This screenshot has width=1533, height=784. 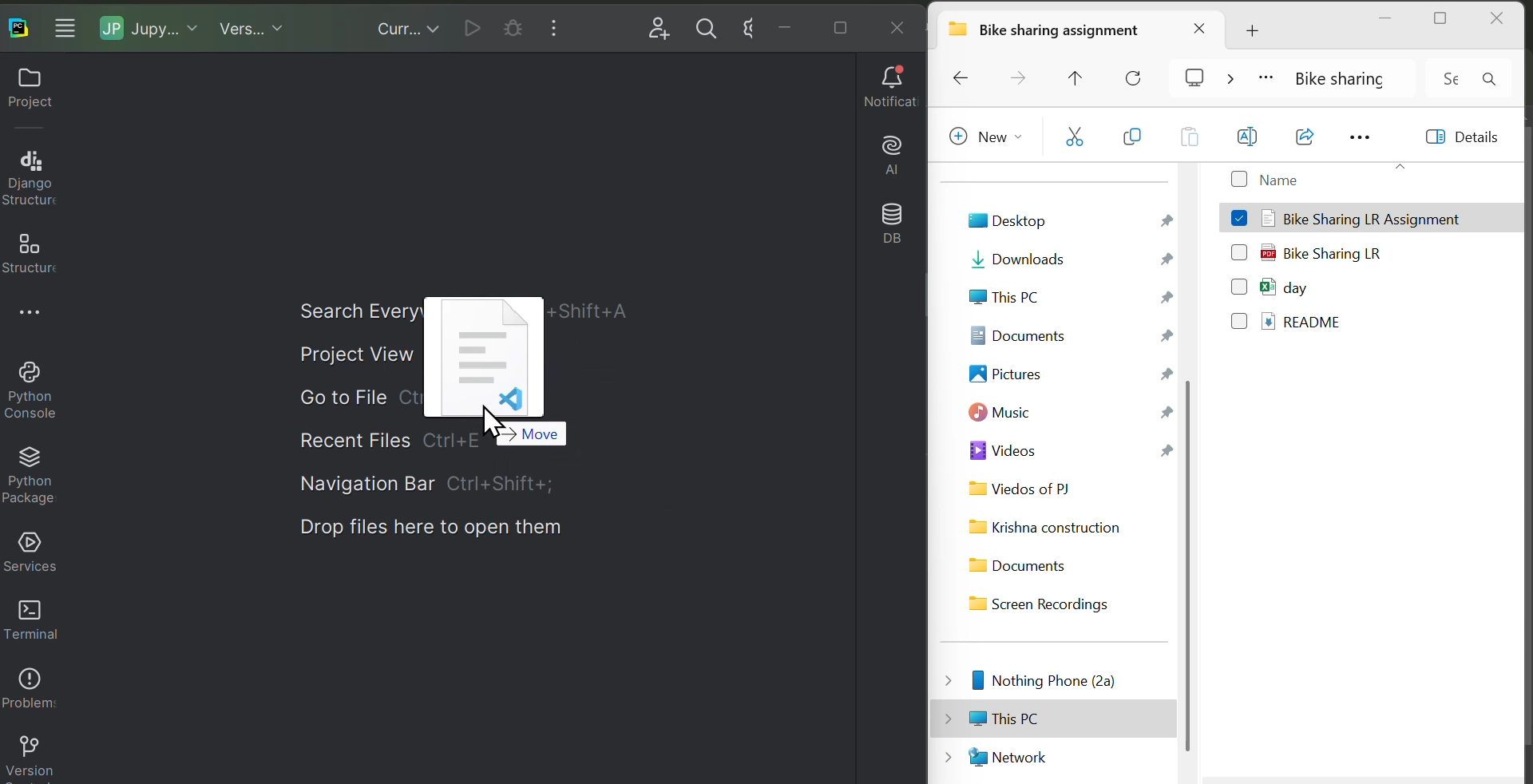 I want to click on checkbox, so click(x=1238, y=214).